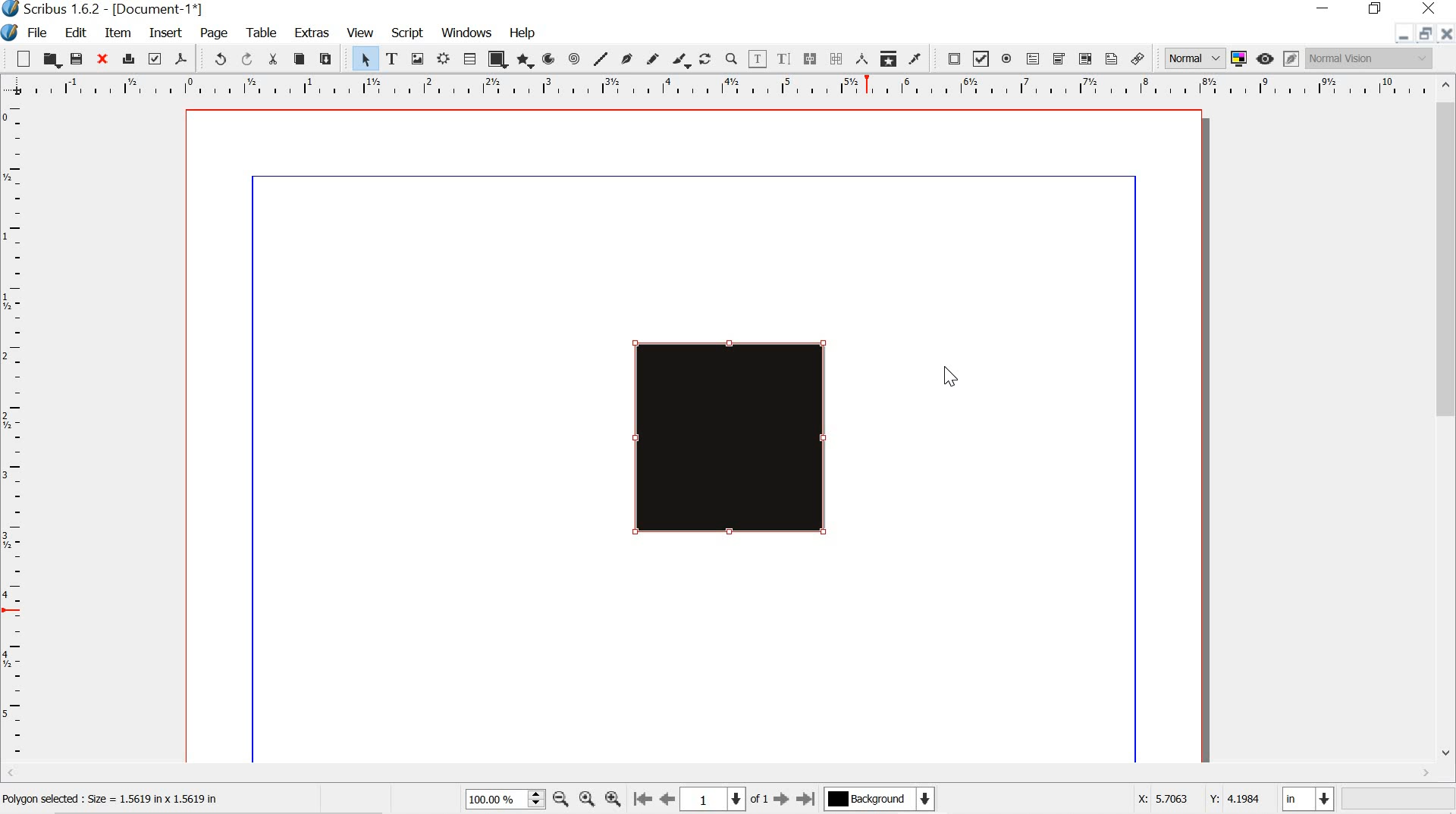  What do you see at coordinates (105, 60) in the screenshot?
I see `close` at bounding box center [105, 60].